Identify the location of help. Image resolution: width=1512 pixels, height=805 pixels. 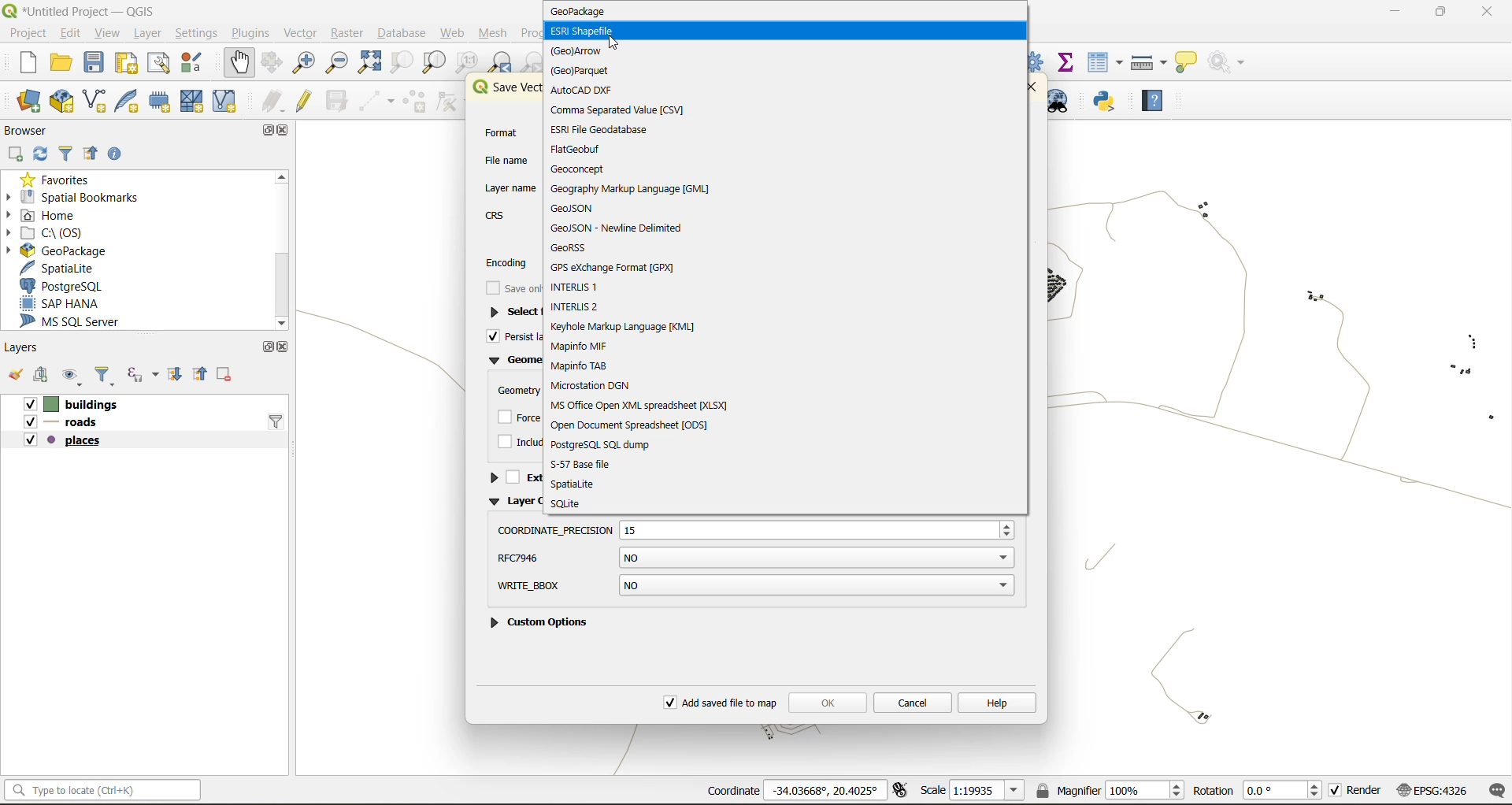
(1002, 702).